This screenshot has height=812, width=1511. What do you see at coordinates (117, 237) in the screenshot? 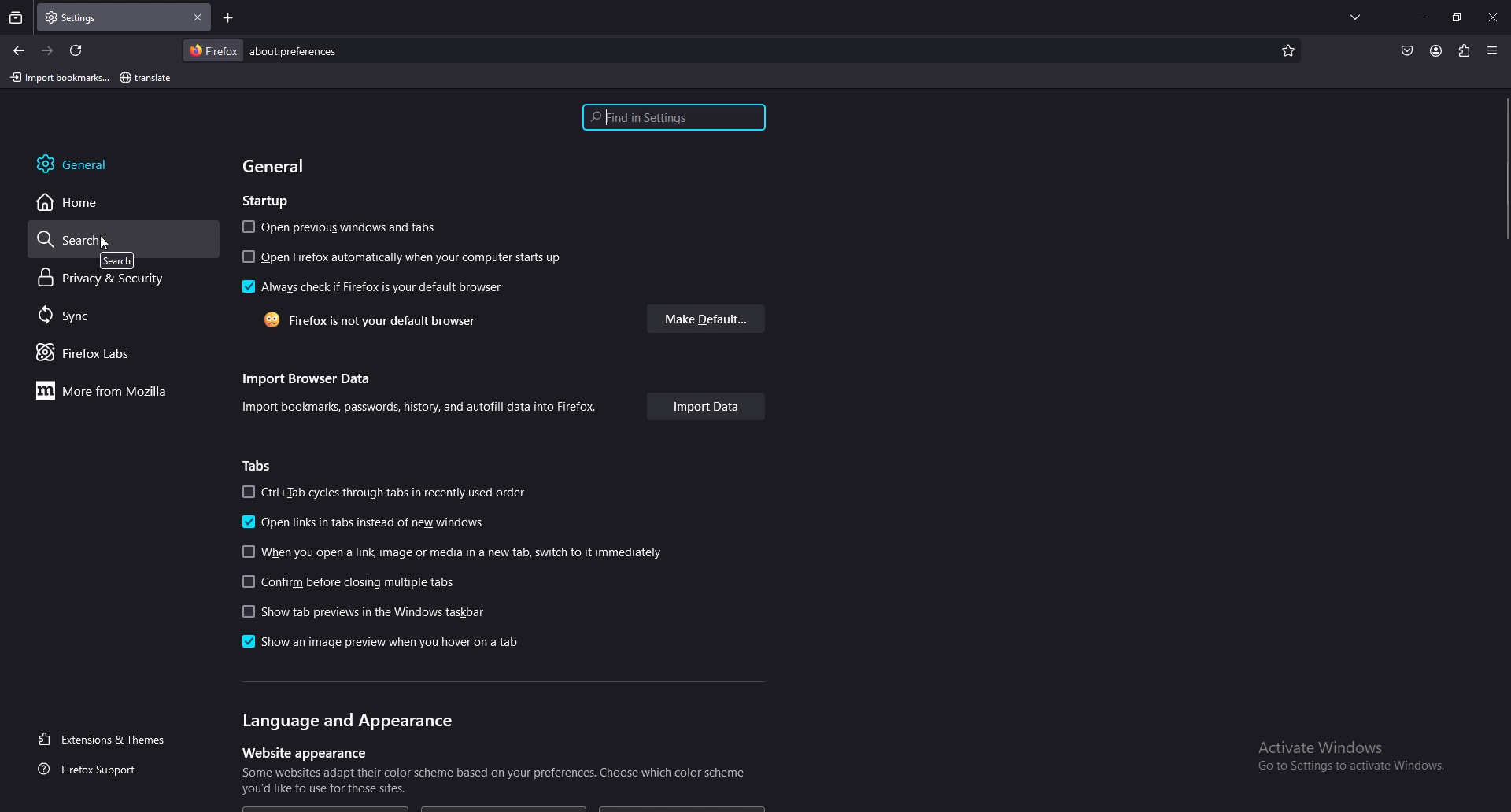
I see `search` at bounding box center [117, 237].